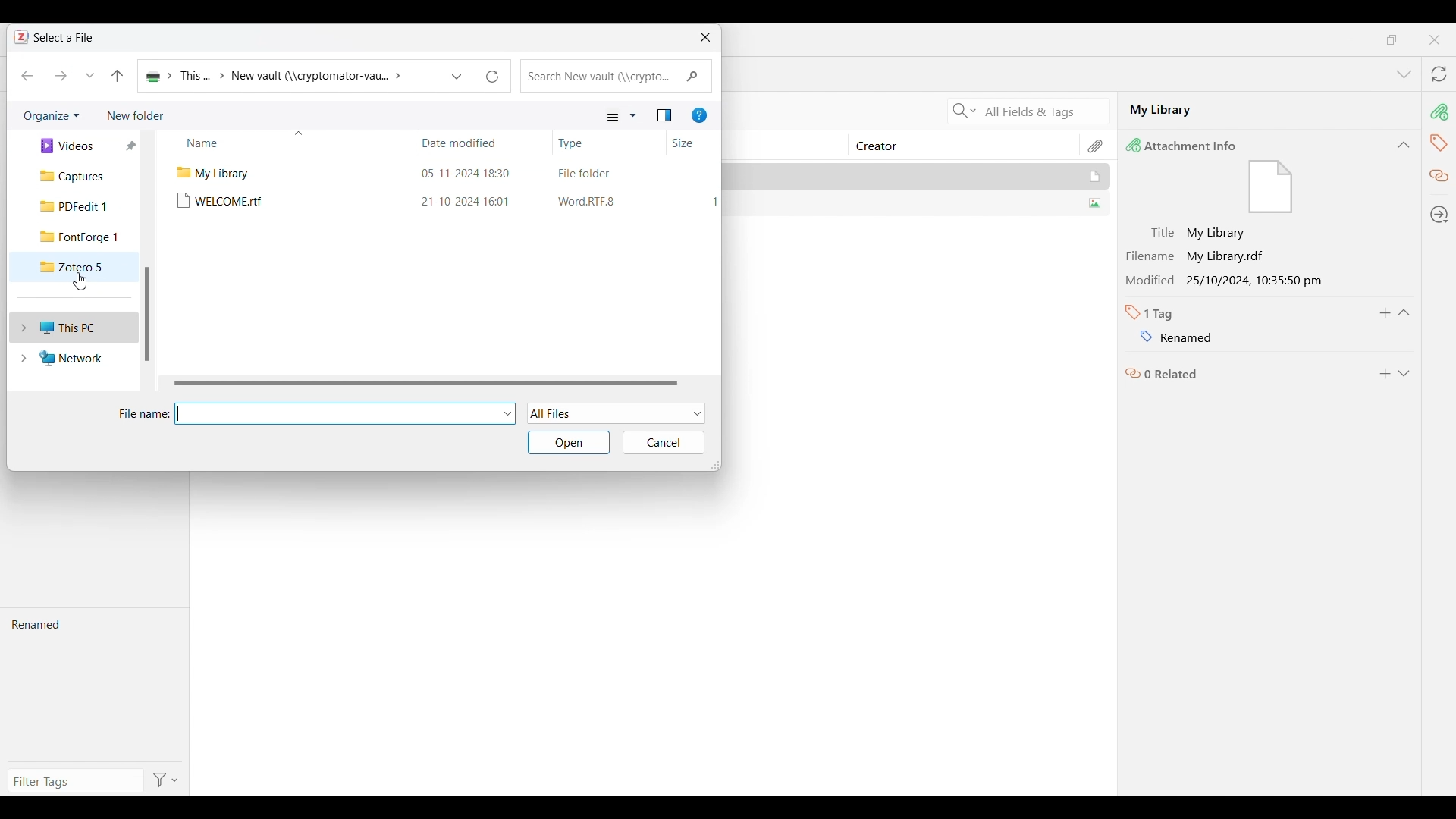 The height and width of the screenshot is (819, 1456). Describe the element at coordinates (684, 143) in the screenshot. I see `Size ` at that location.